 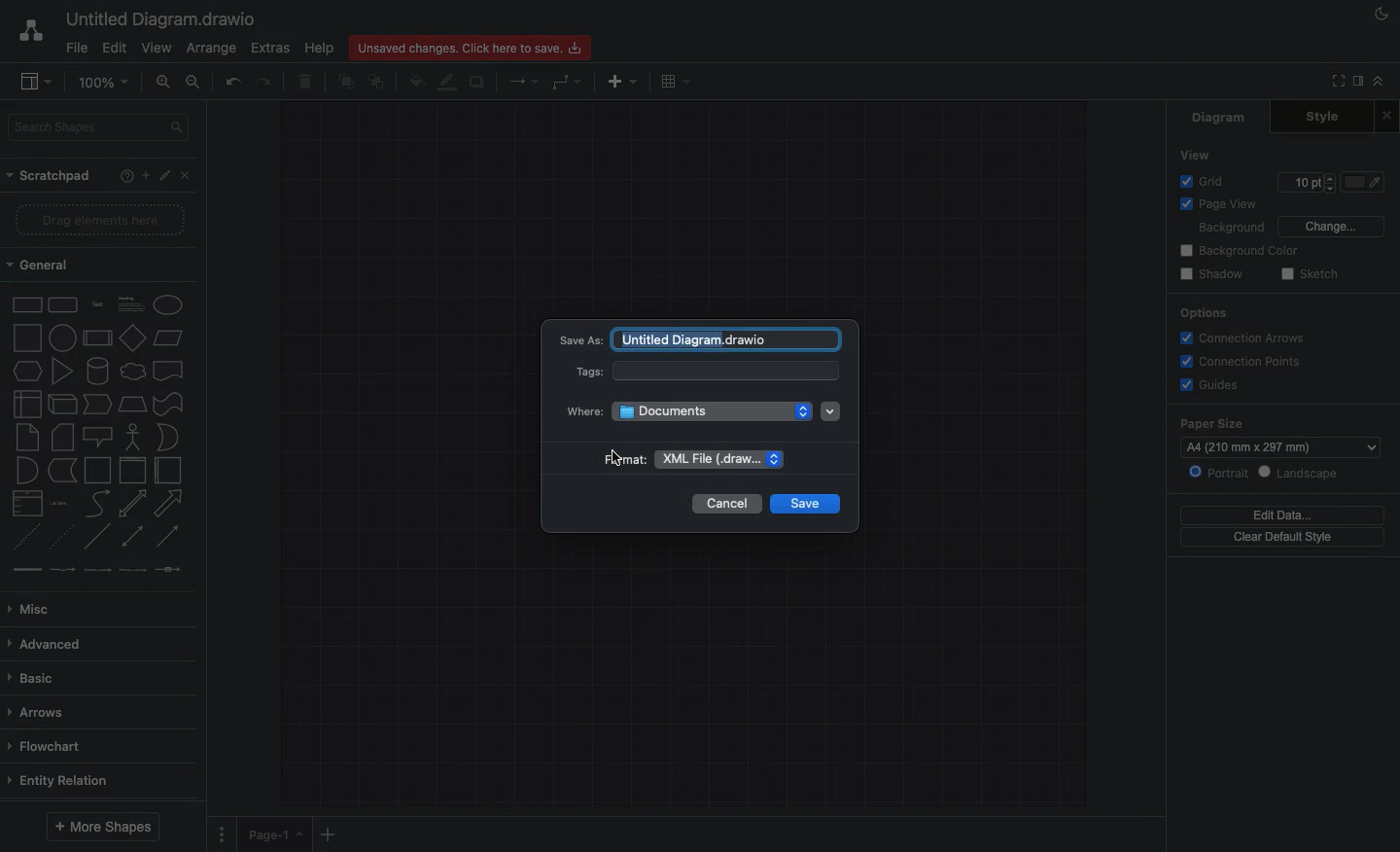 What do you see at coordinates (142, 176) in the screenshot?
I see `Add` at bounding box center [142, 176].